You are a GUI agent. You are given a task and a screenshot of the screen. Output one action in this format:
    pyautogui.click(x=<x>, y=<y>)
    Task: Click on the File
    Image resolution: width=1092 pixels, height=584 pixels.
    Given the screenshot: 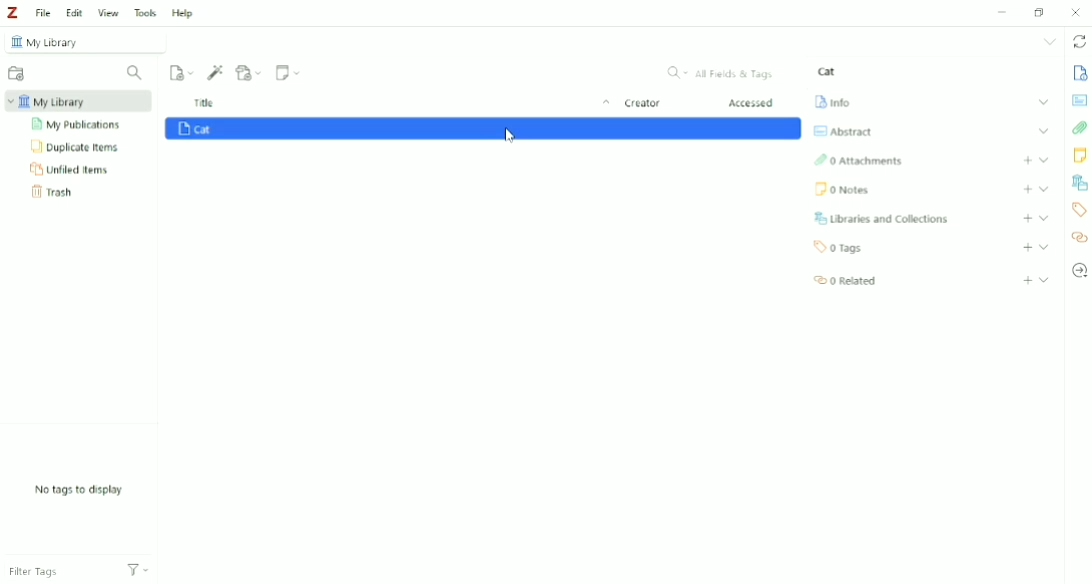 What is the action you would take?
    pyautogui.click(x=42, y=12)
    